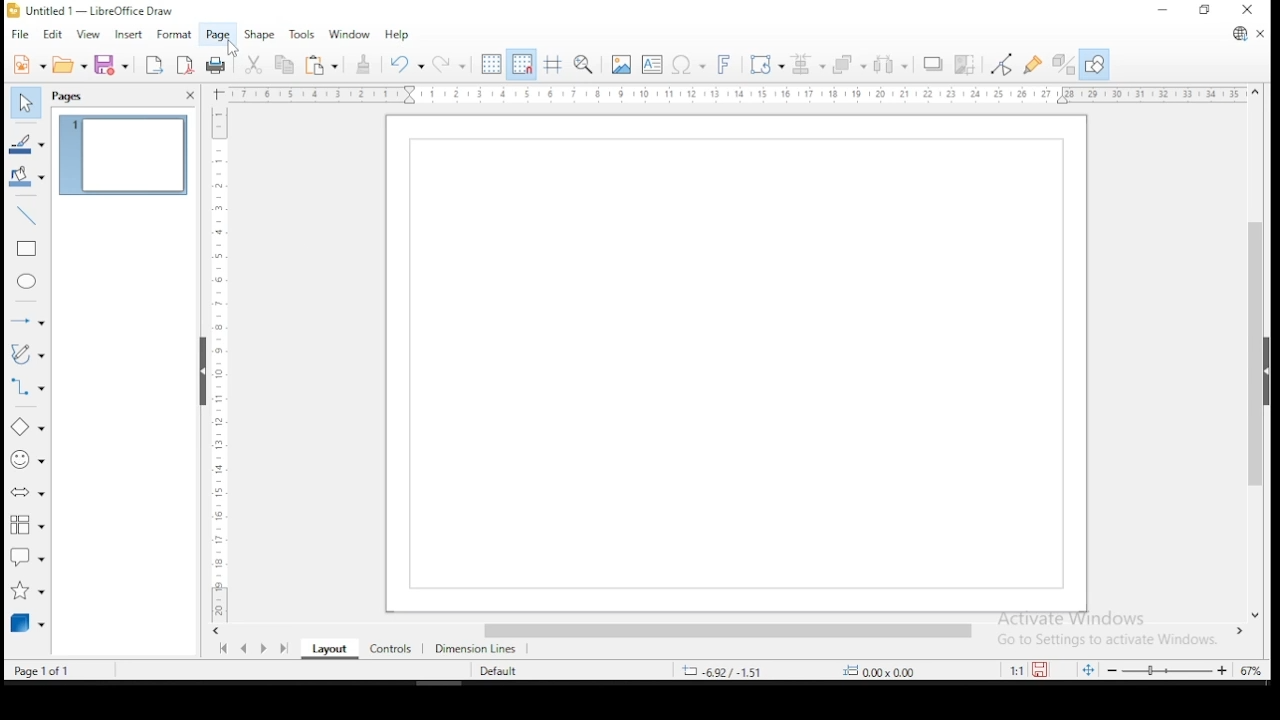 The image size is (1280, 720). Describe the element at coordinates (396, 36) in the screenshot. I see `help` at that location.